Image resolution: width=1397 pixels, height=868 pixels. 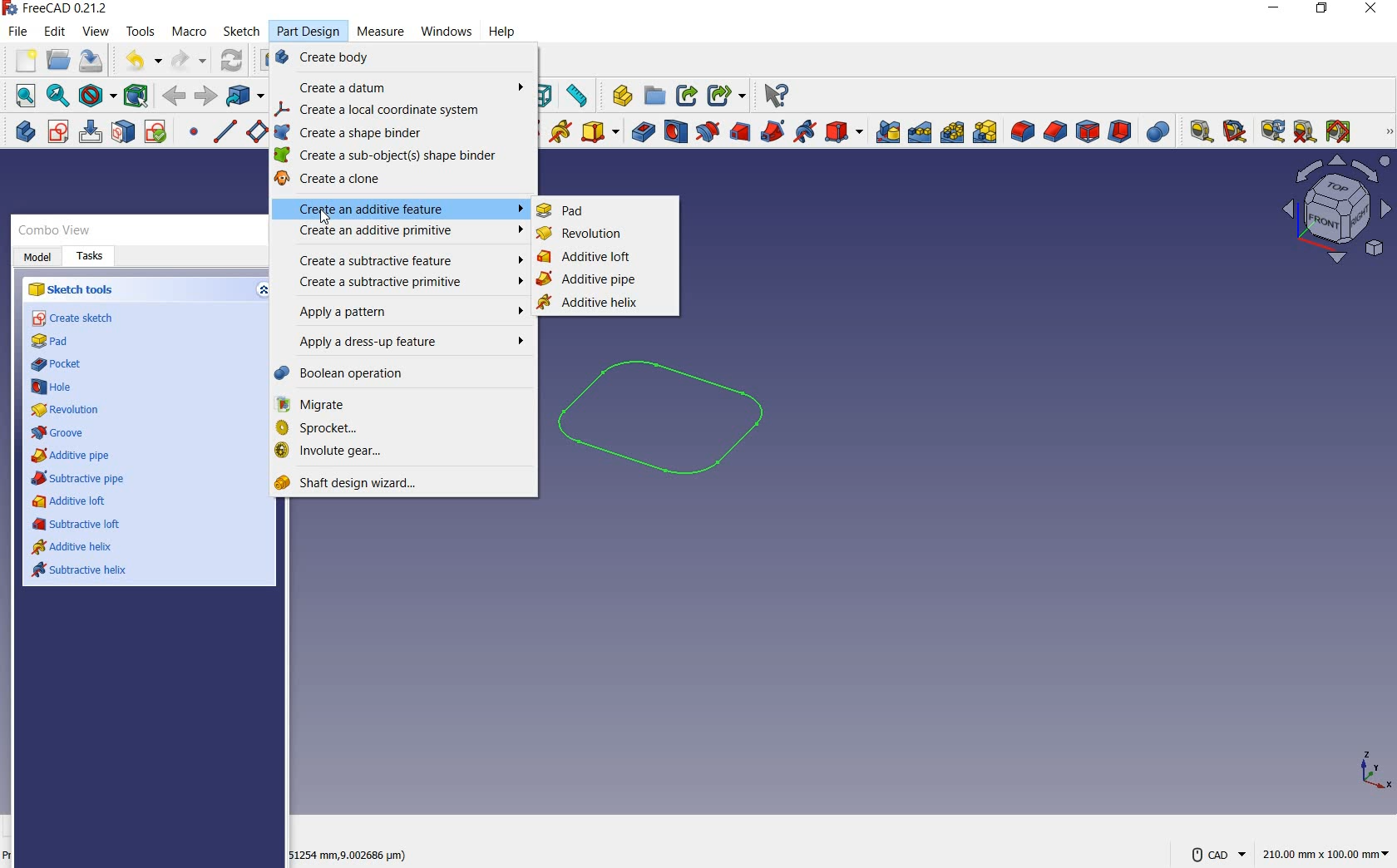 What do you see at coordinates (37, 254) in the screenshot?
I see `Model` at bounding box center [37, 254].